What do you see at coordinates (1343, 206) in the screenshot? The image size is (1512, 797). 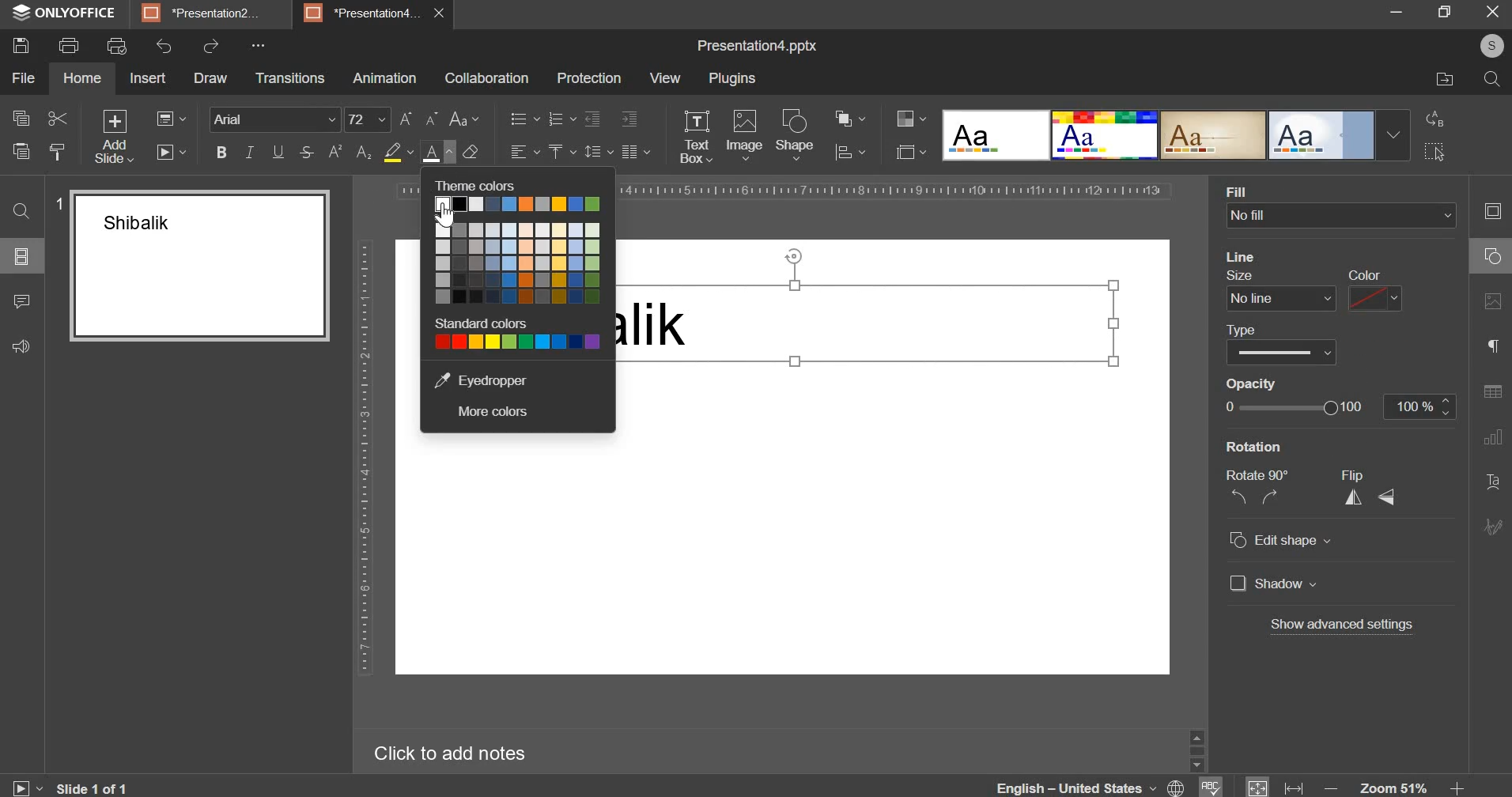 I see `background fill` at bounding box center [1343, 206].